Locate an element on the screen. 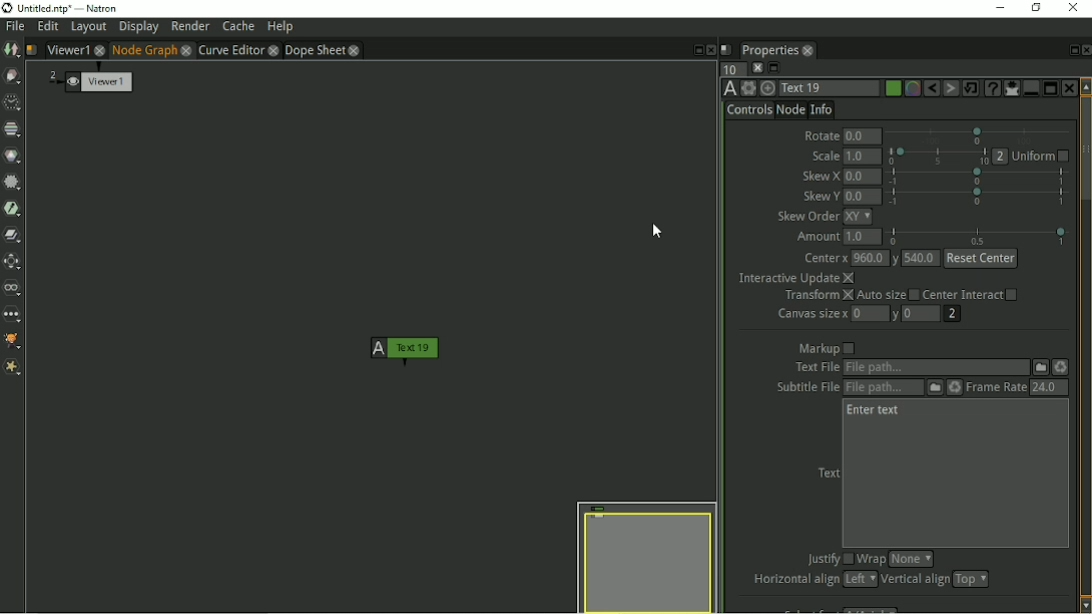 This screenshot has height=614, width=1092. Node Graph is located at coordinates (144, 50).